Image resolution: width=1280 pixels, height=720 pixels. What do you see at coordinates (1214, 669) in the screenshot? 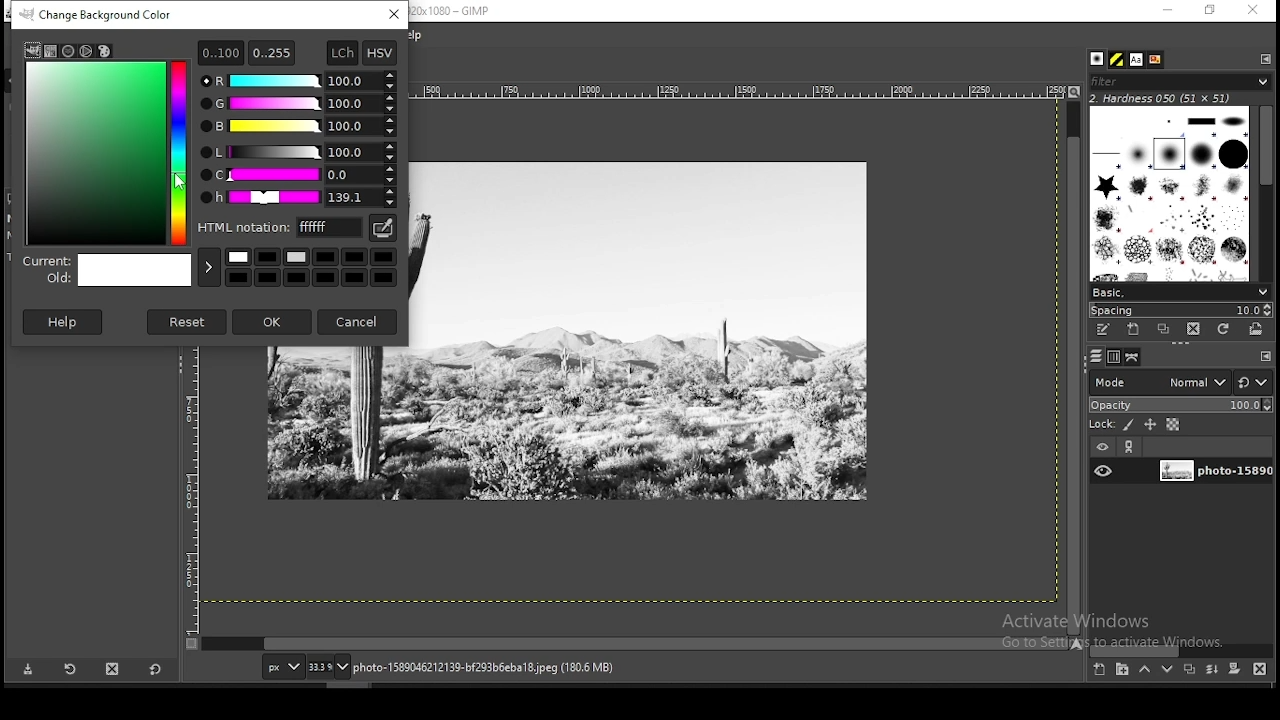
I see `merge layer` at bounding box center [1214, 669].